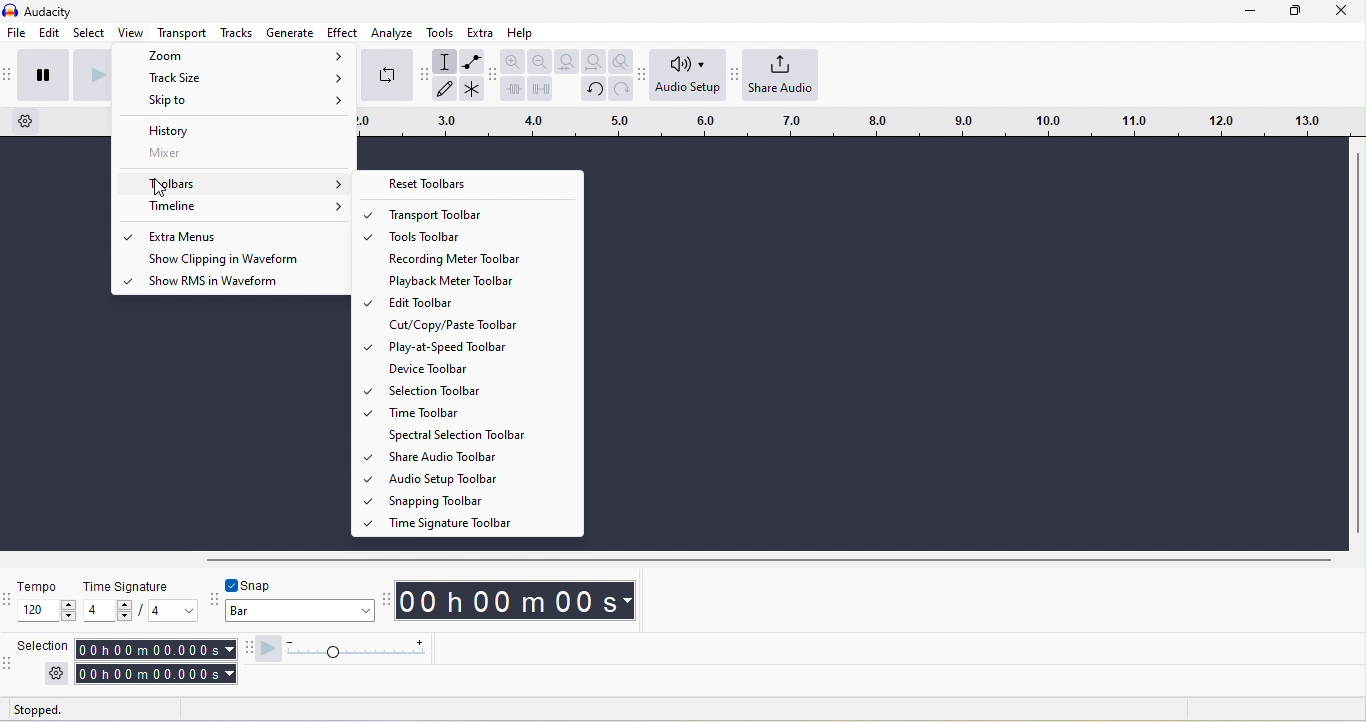 The height and width of the screenshot is (722, 1366). I want to click on tickmark represents corresponding options are enabled, so click(367, 369).